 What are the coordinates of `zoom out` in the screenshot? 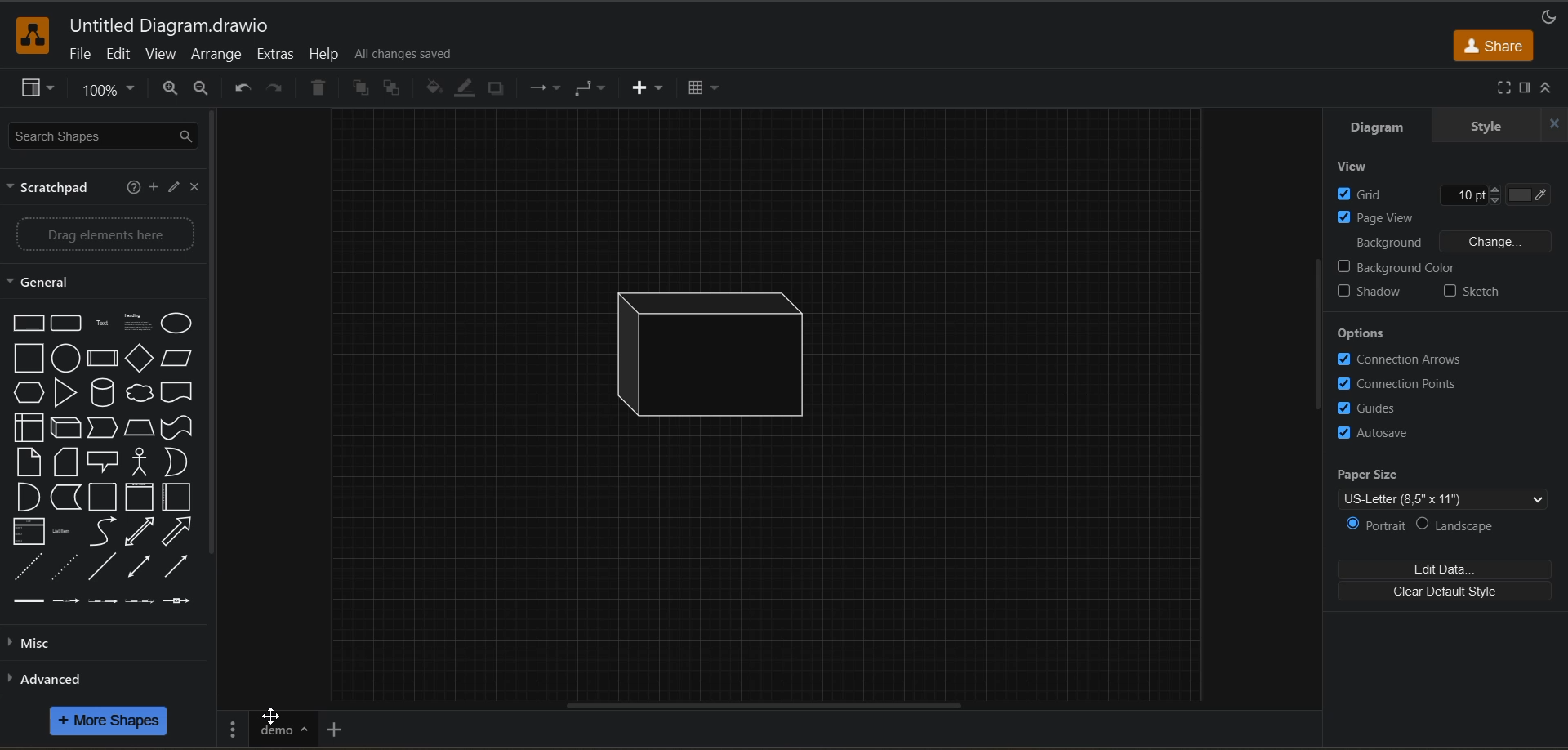 It's located at (170, 88).